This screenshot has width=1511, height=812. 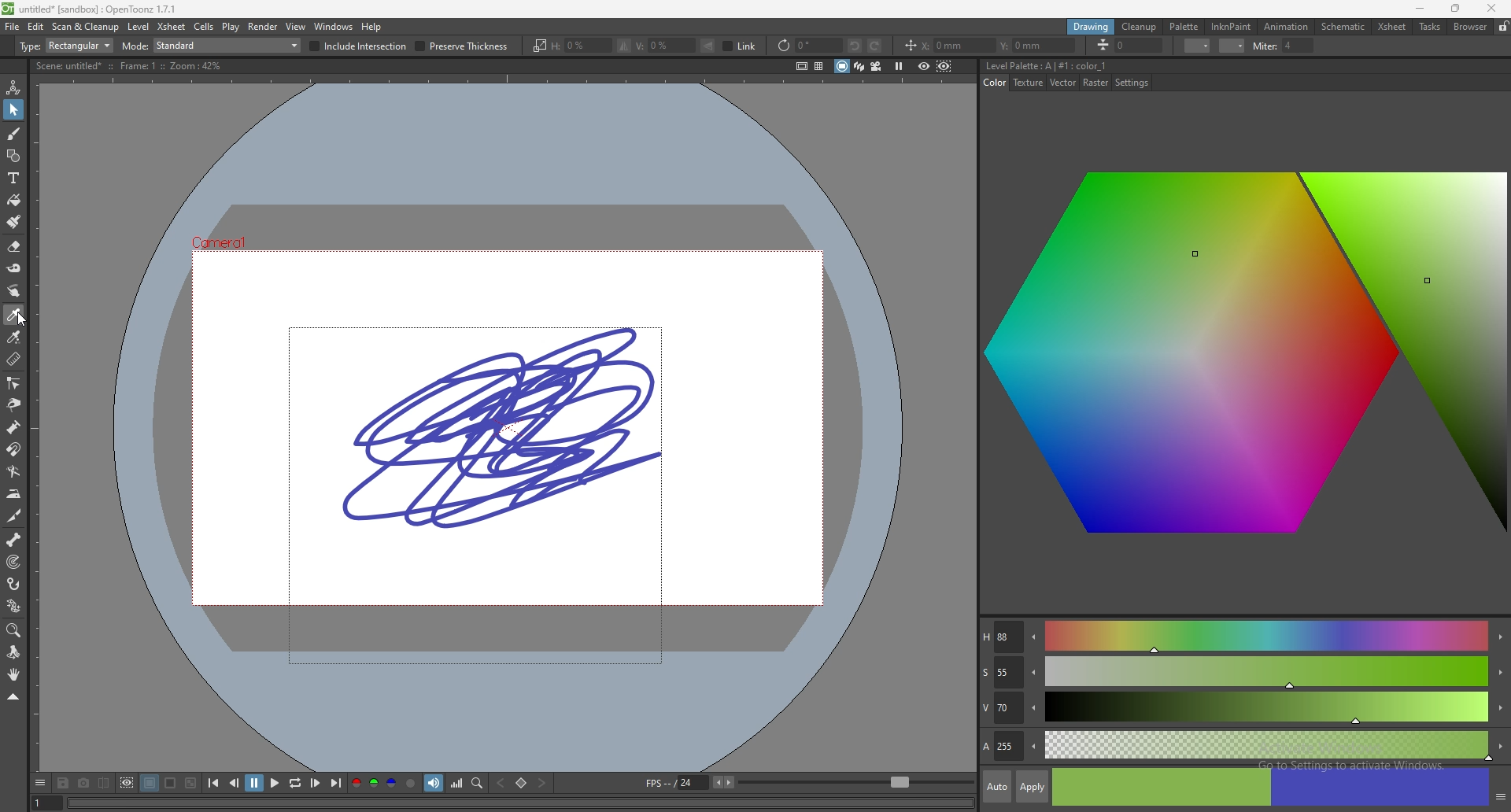 I want to click on snapshot, so click(x=83, y=784).